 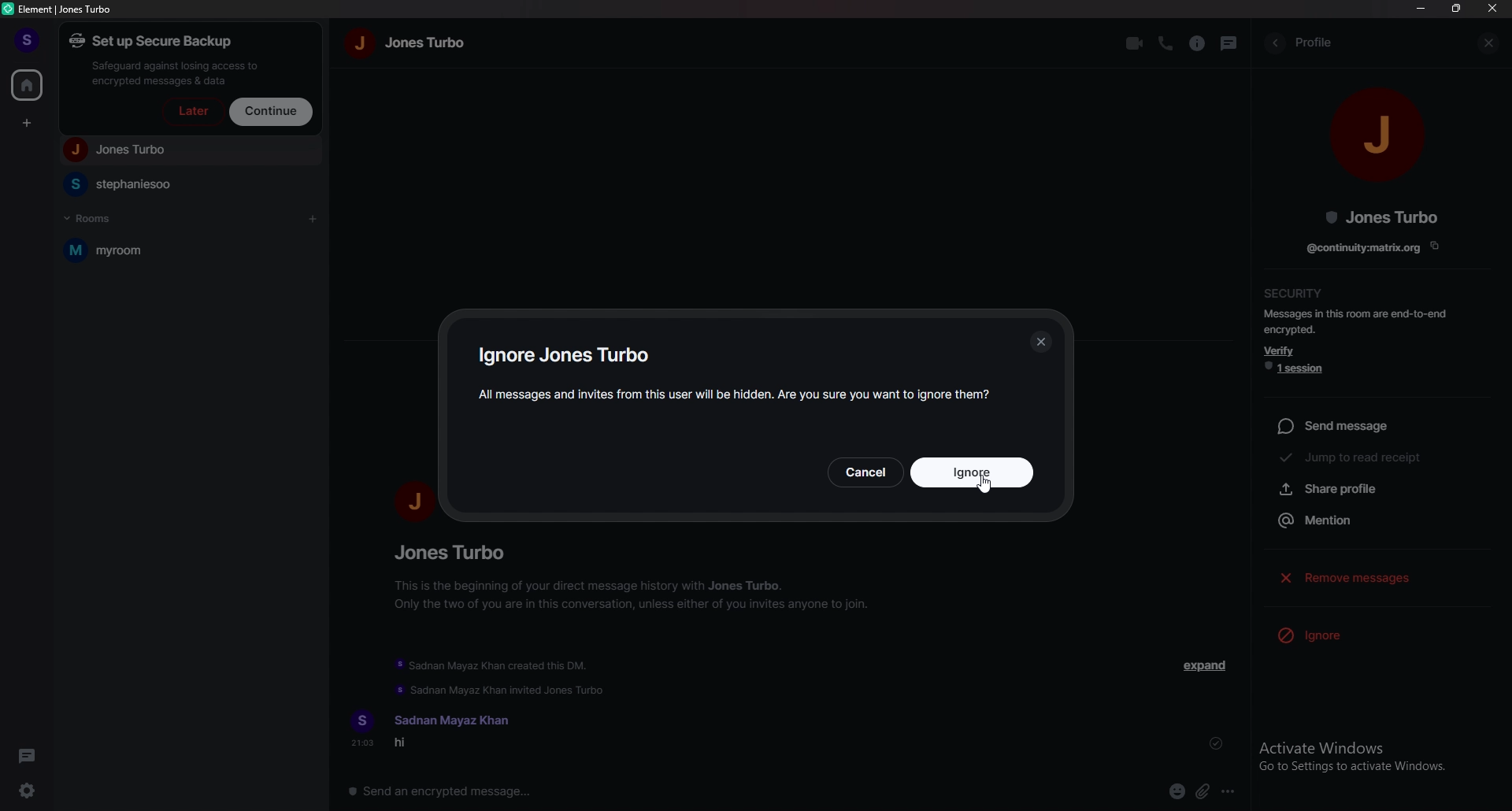 I want to click on ignore, so click(x=570, y=351).